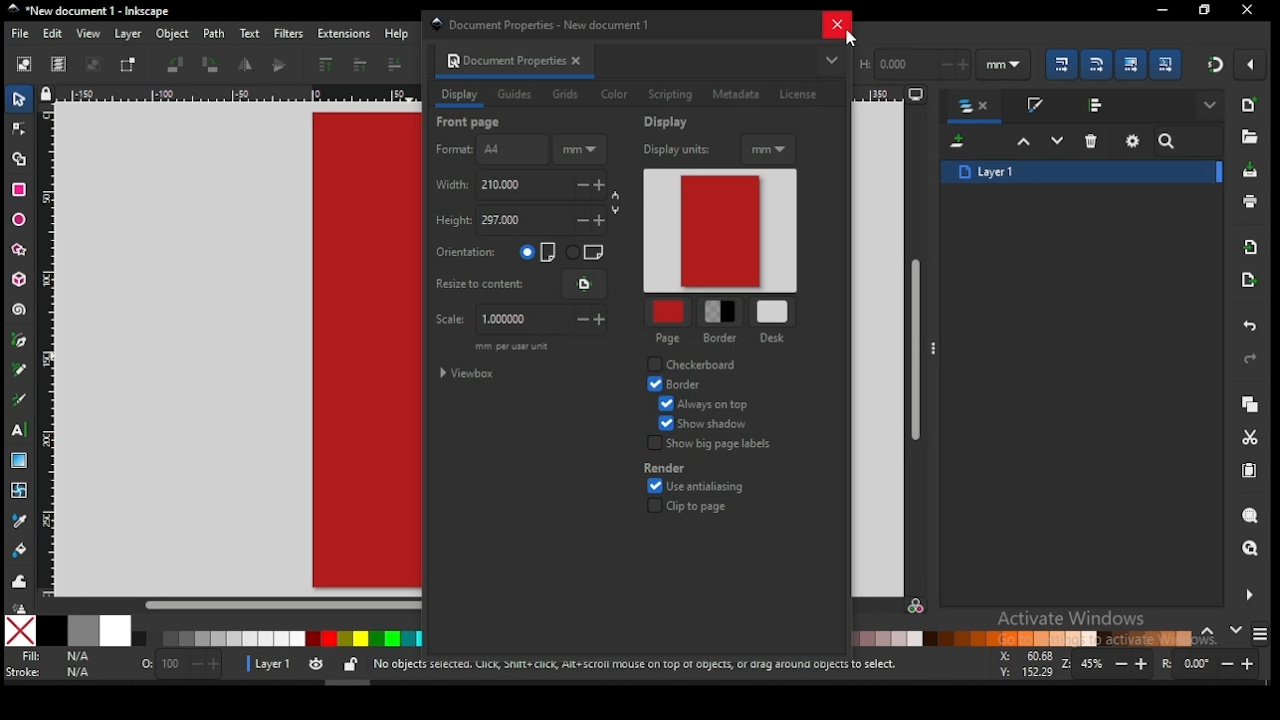  I want to click on render, so click(709, 444).